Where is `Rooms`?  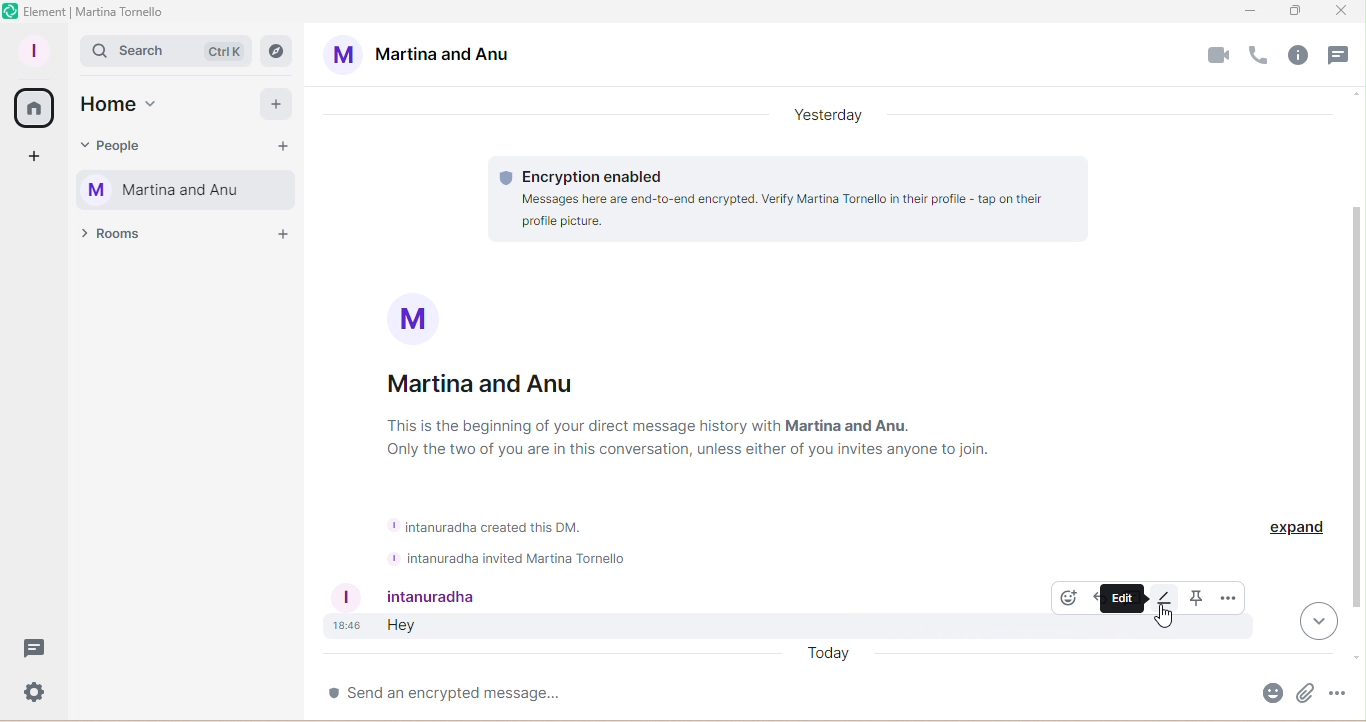
Rooms is located at coordinates (113, 238).